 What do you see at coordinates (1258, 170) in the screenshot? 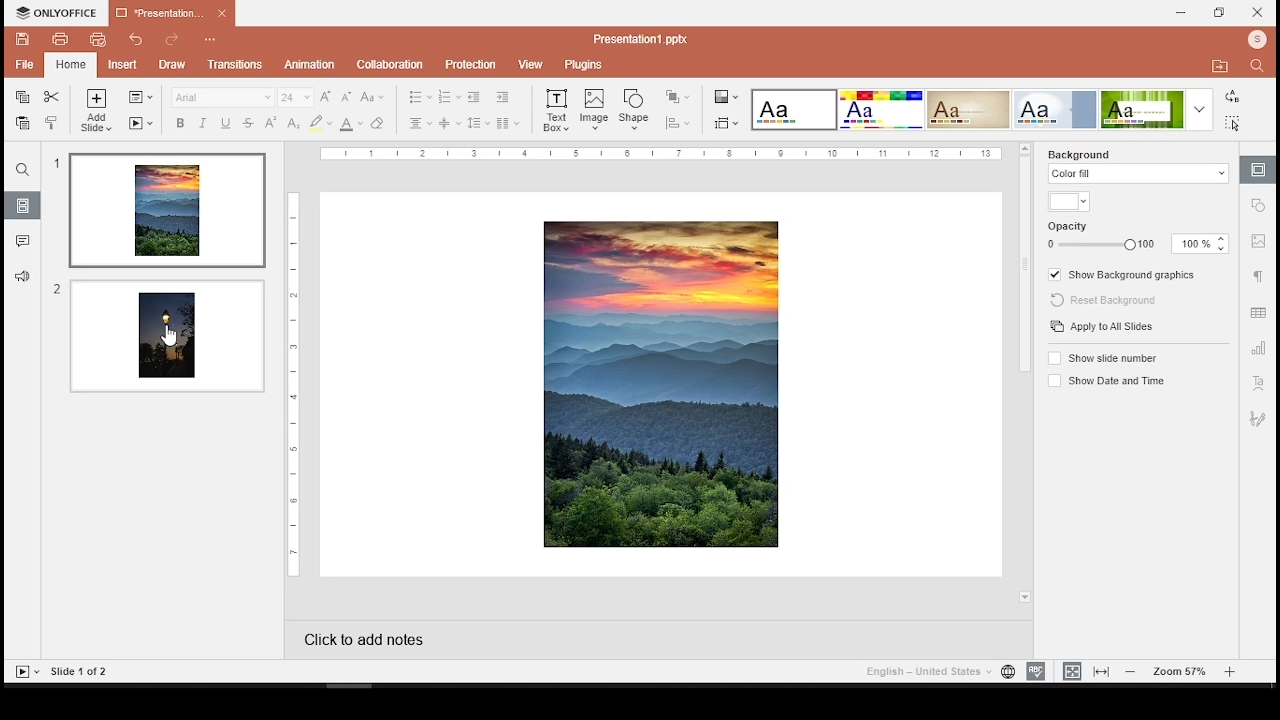
I see `slide settings` at bounding box center [1258, 170].